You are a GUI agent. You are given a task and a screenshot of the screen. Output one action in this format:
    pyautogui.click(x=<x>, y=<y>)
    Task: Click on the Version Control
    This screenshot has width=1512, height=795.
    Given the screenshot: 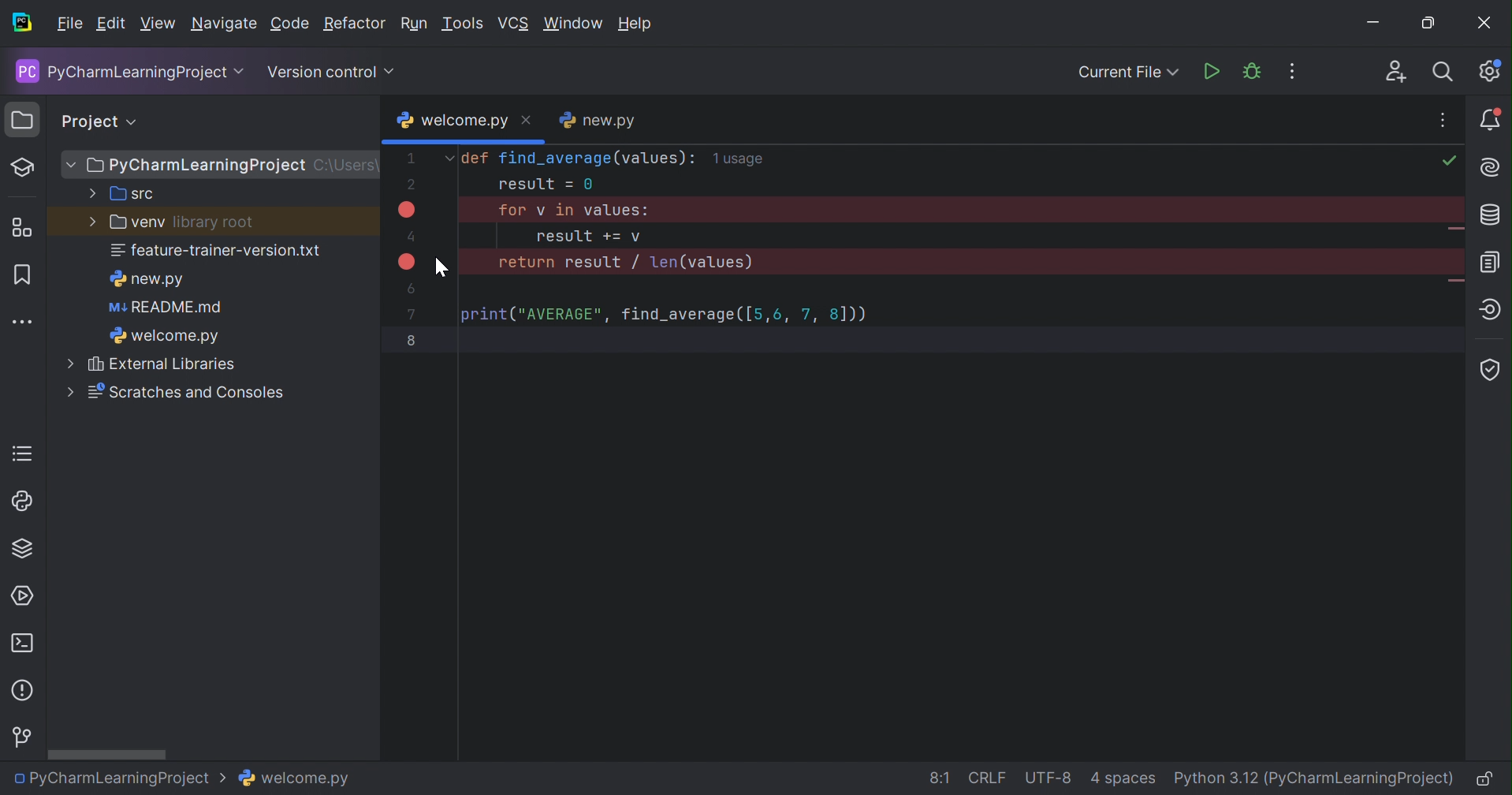 What is the action you would take?
    pyautogui.click(x=328, y=74)
    